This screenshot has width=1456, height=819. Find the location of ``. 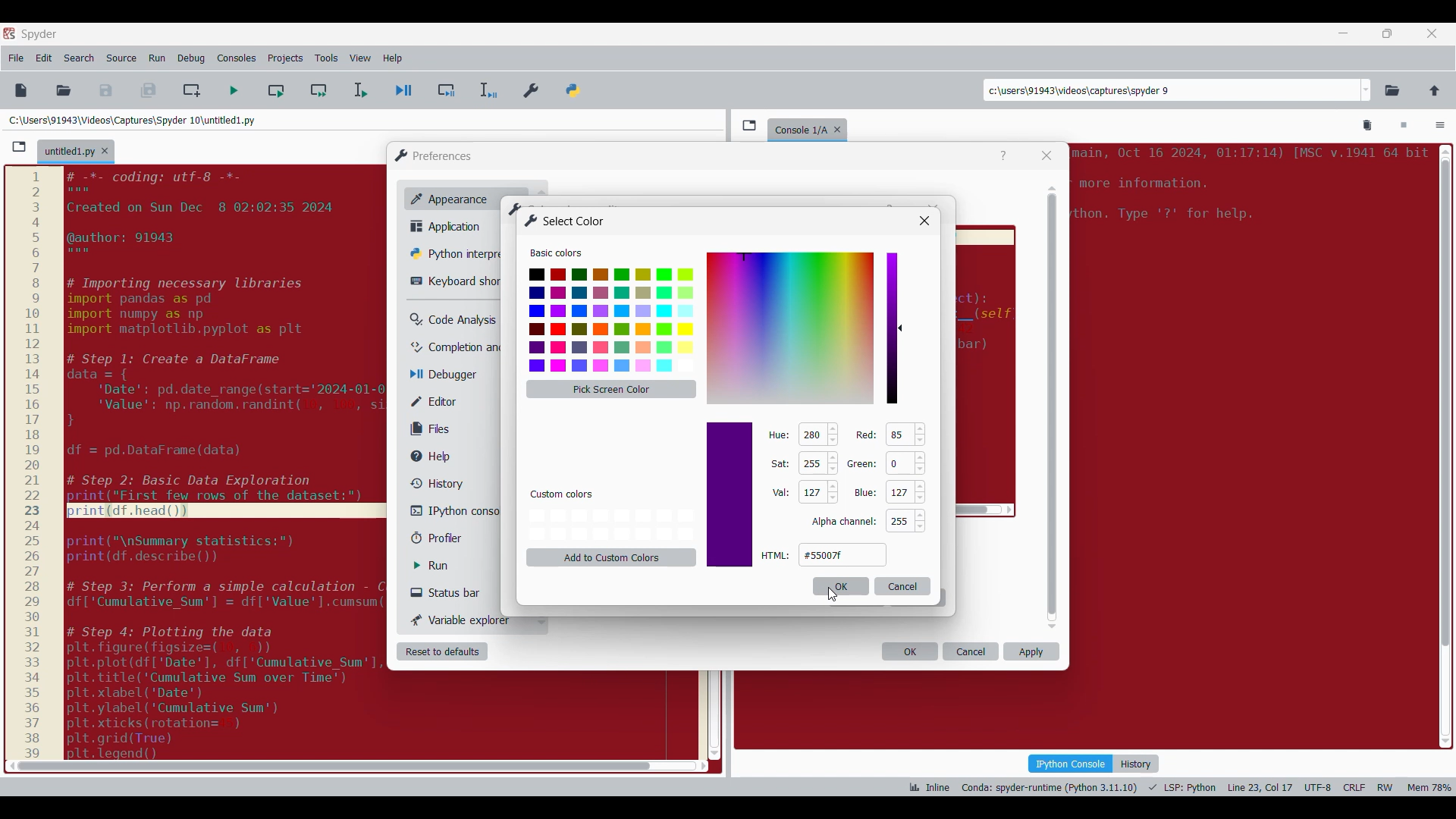

 is located at coordinates (844, 522).